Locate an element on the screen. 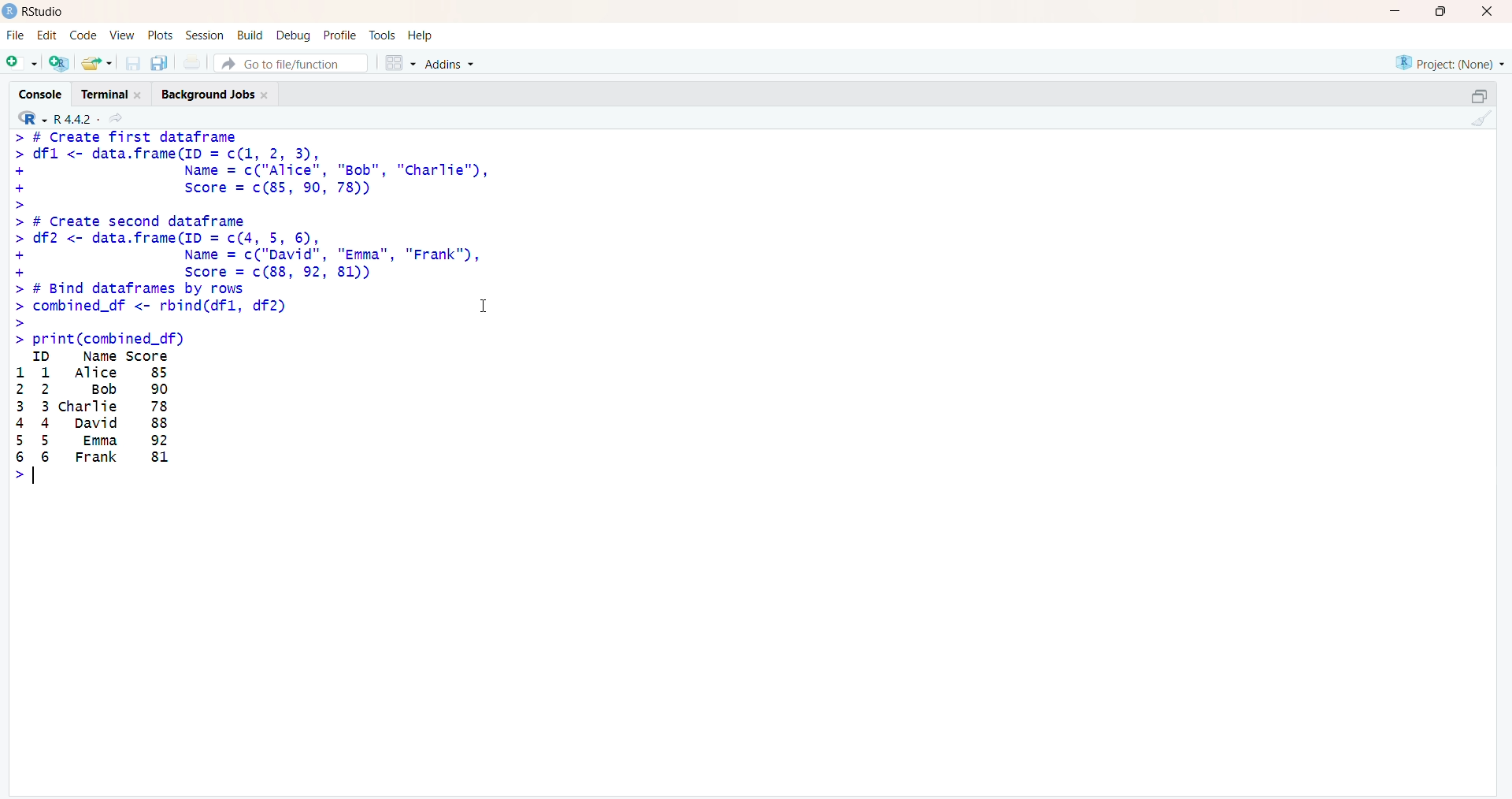  print is located at coordinates (193, 63).